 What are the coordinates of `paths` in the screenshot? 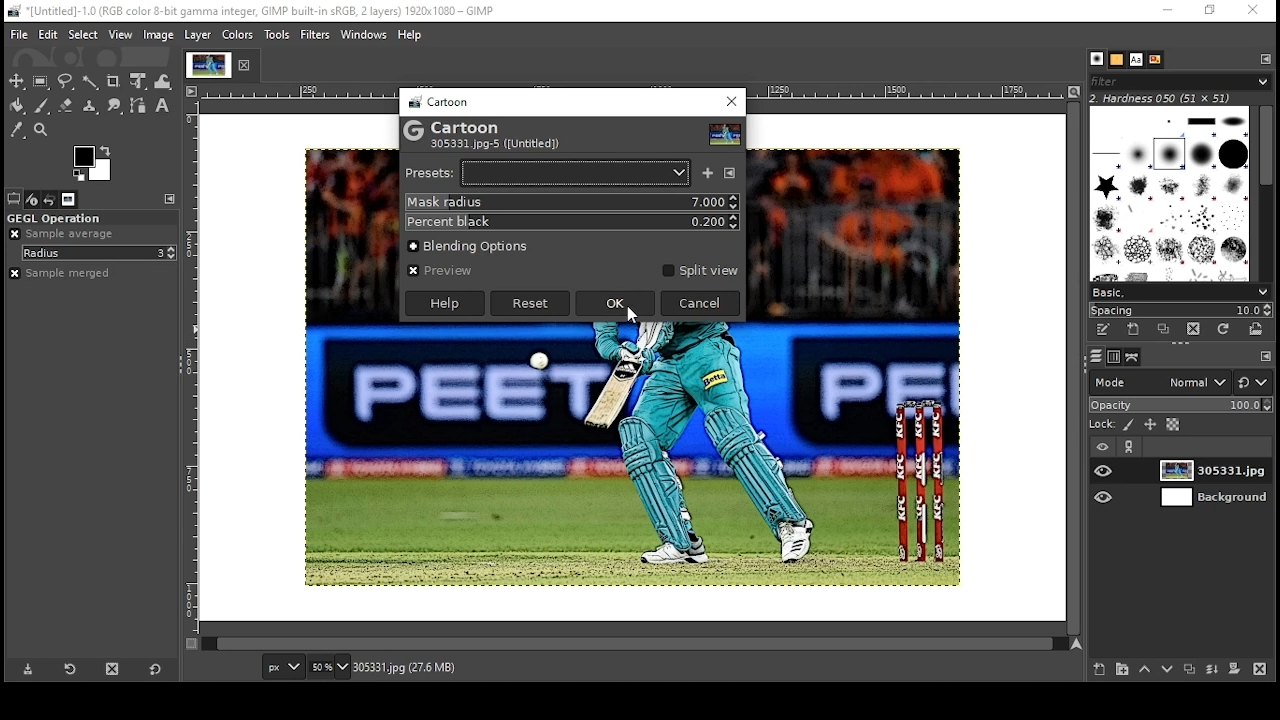 It's located at (1133, 356).